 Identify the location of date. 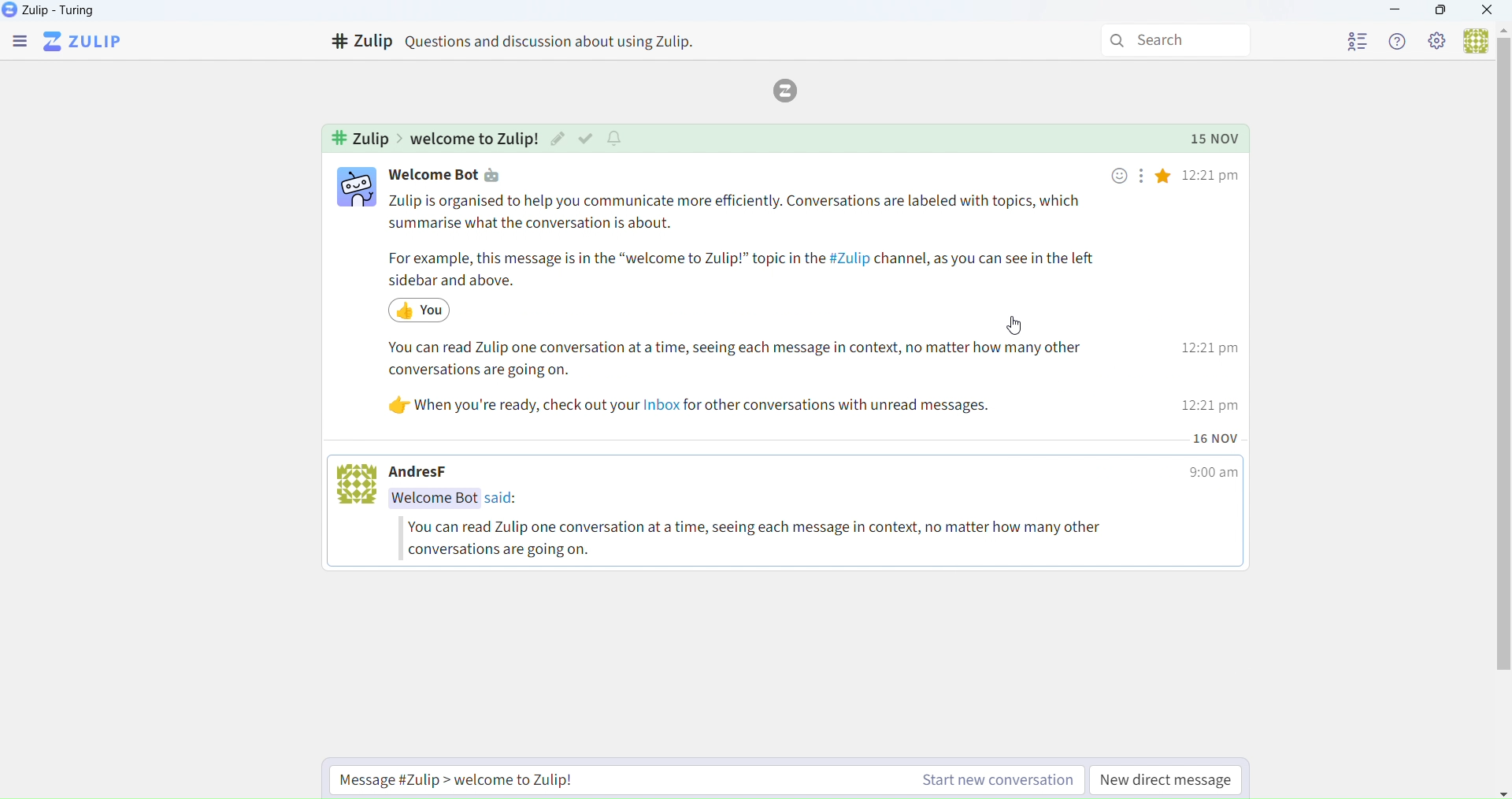
(1217, 138).